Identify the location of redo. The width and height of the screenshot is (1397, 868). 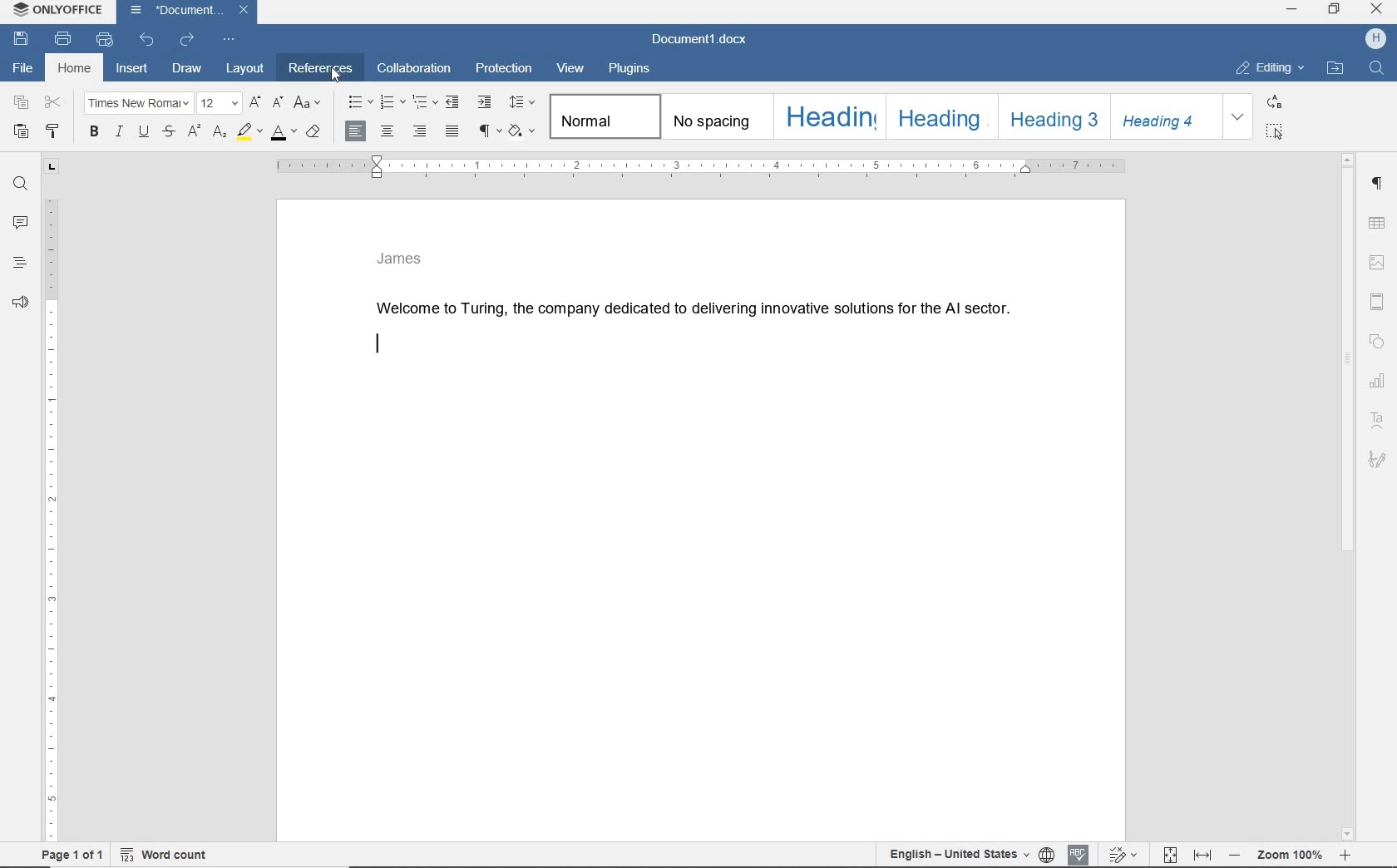
(186, 40).